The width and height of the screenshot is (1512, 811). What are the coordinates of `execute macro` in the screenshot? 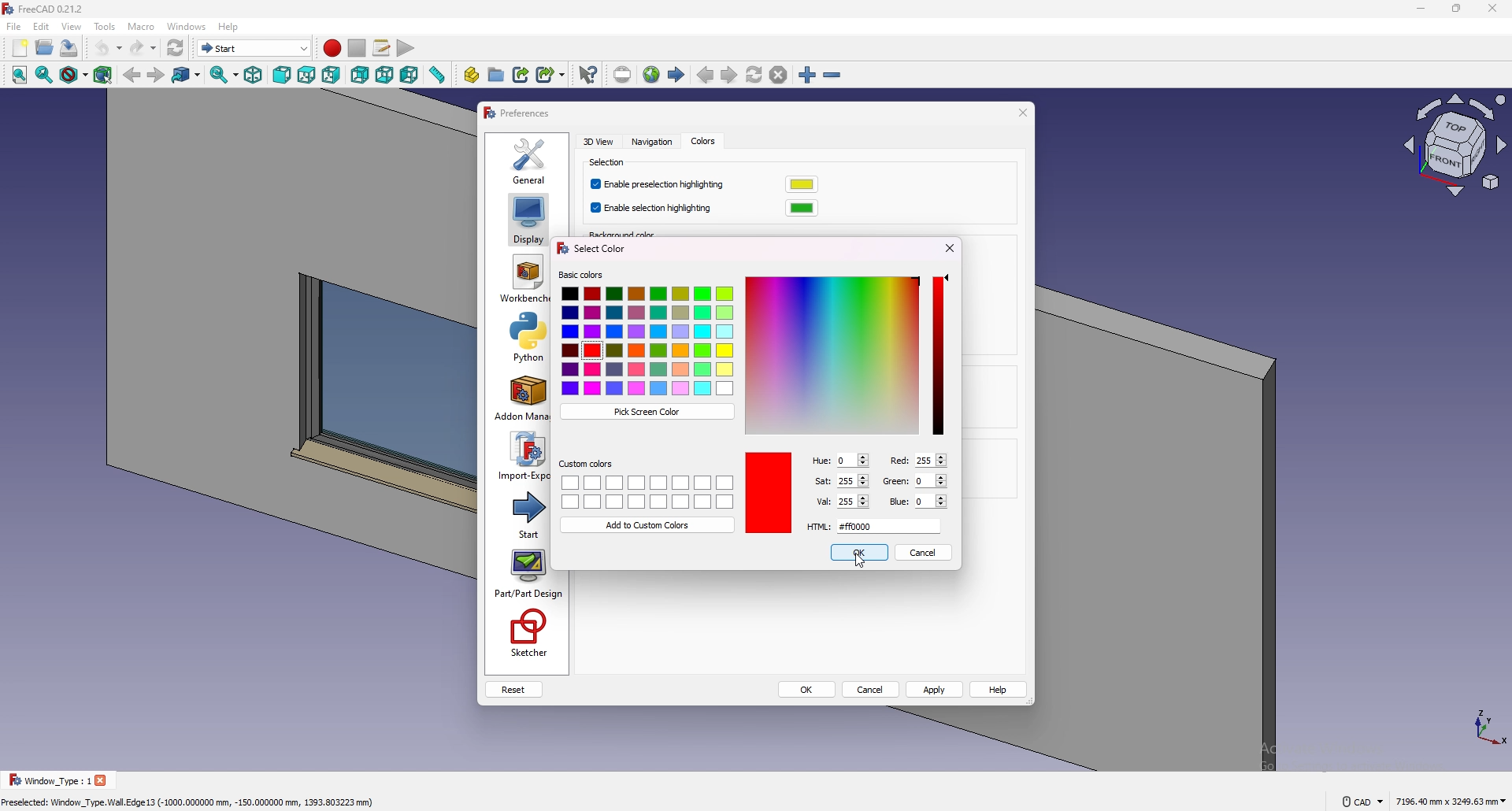 It's located at (405, 50).